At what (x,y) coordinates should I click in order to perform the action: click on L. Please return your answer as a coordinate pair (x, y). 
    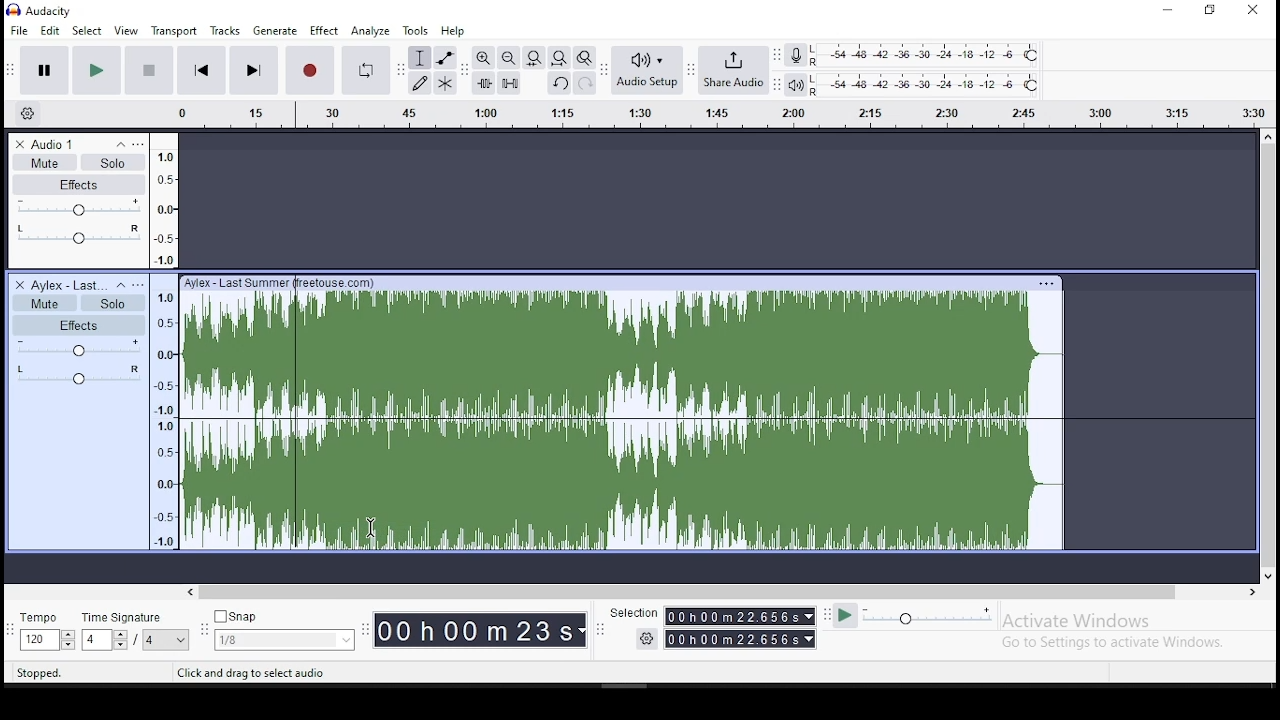
    Looking at the image, I should click on (818, 49).